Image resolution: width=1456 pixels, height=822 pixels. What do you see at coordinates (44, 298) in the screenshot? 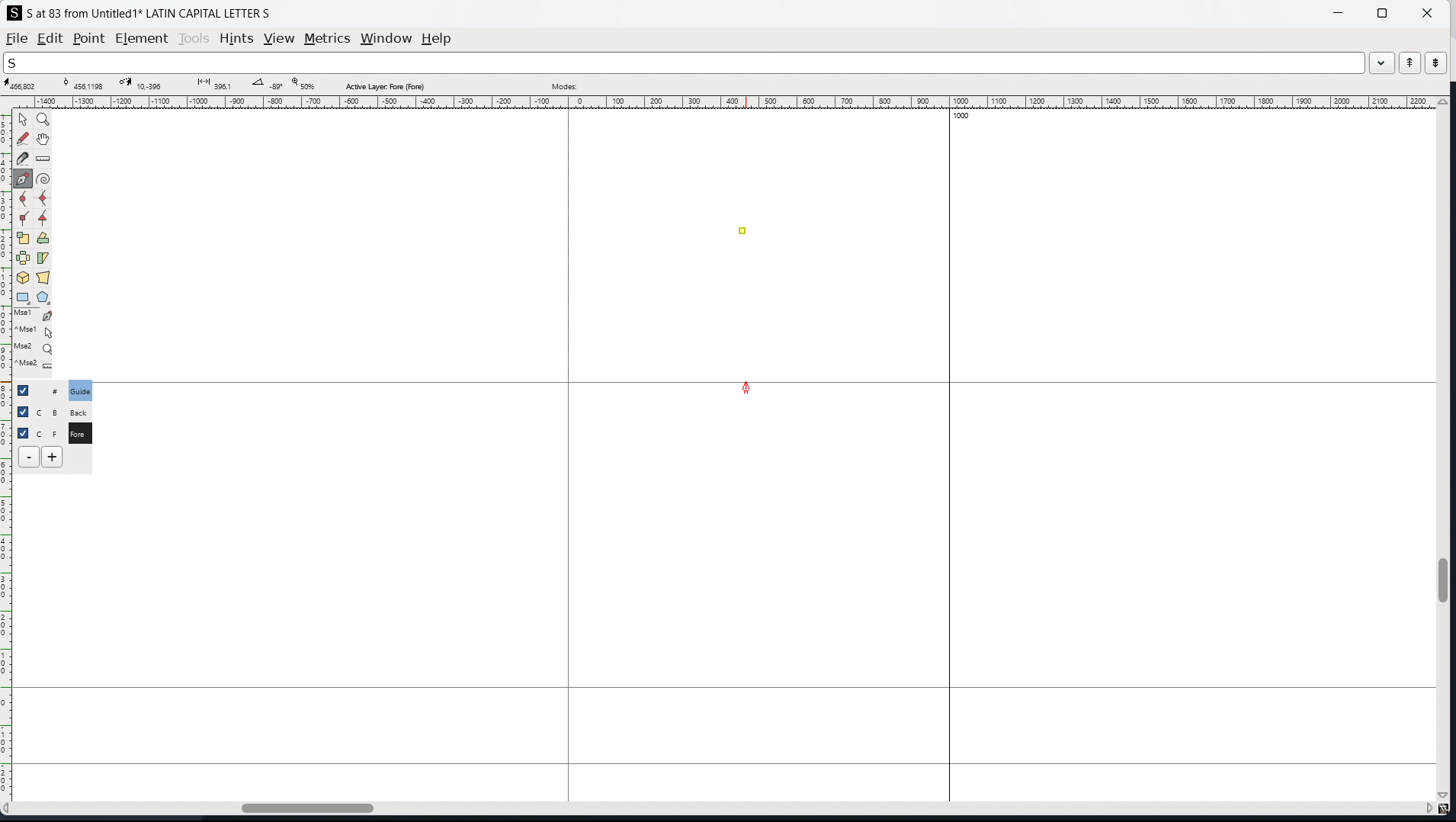
I see `polygon and stars` at bounding box center [44, 298].